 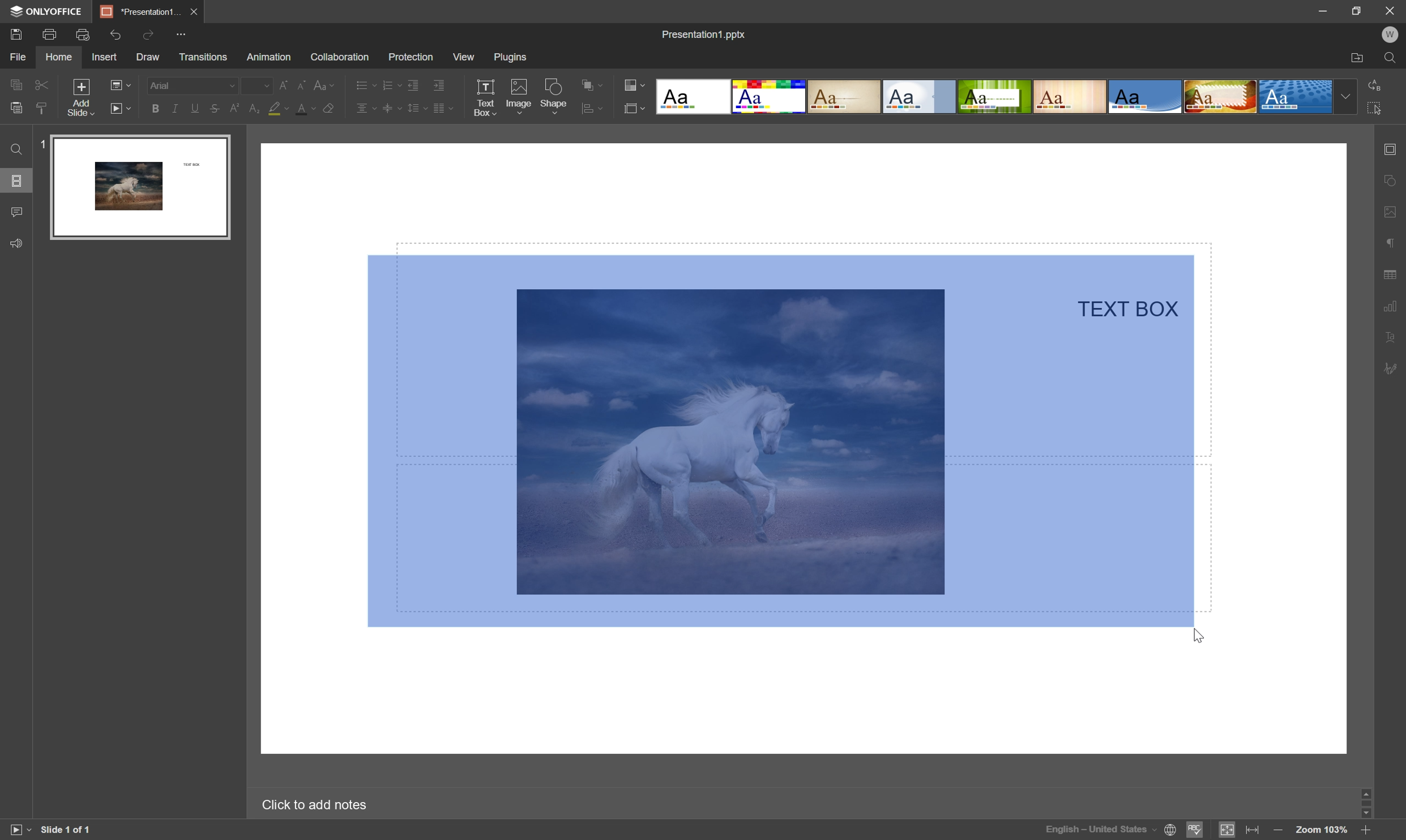 I want to click on feedback & support, so click(x=16, y=245).